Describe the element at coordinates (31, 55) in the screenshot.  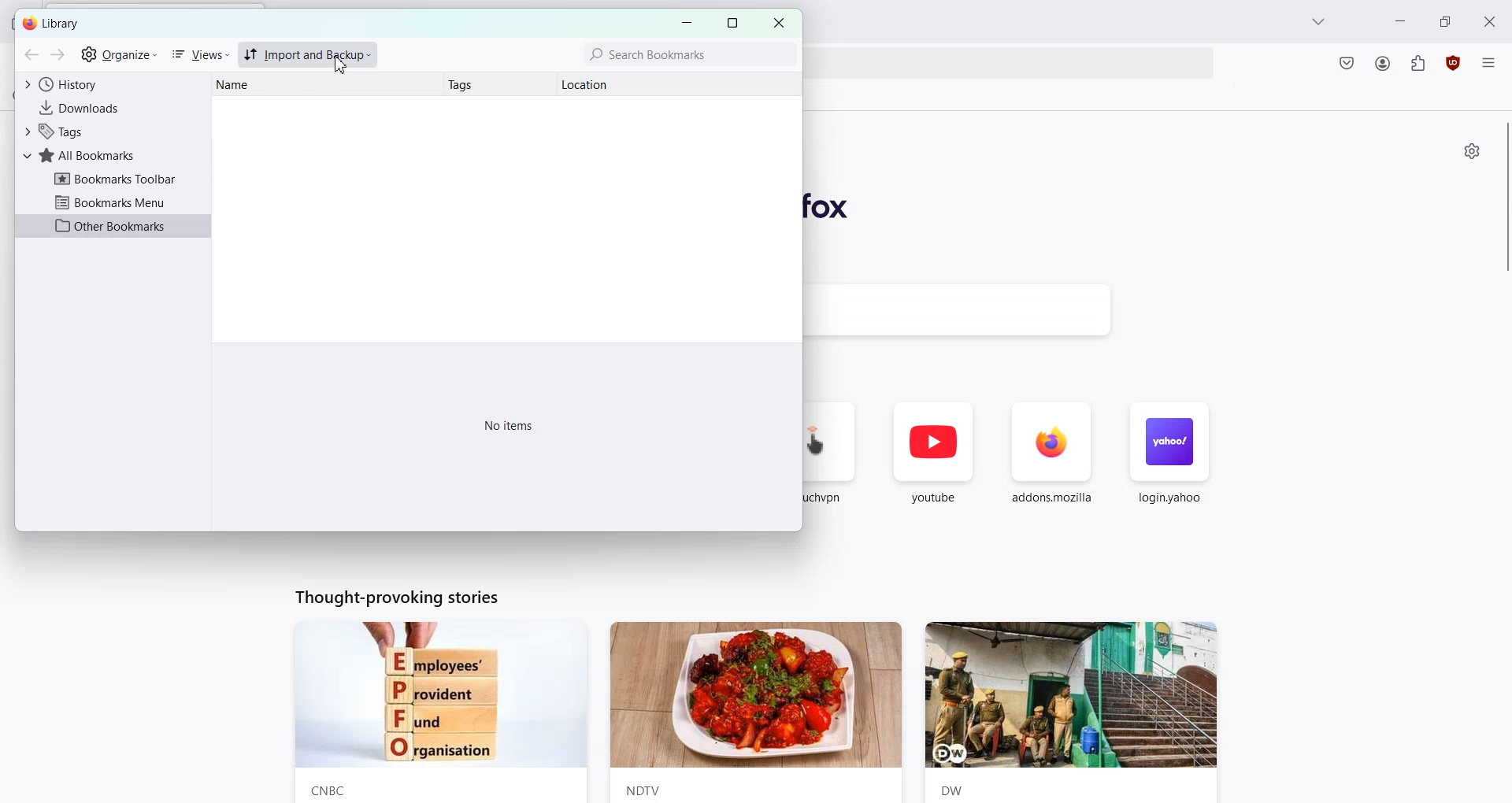
I see `Go back` at that location.